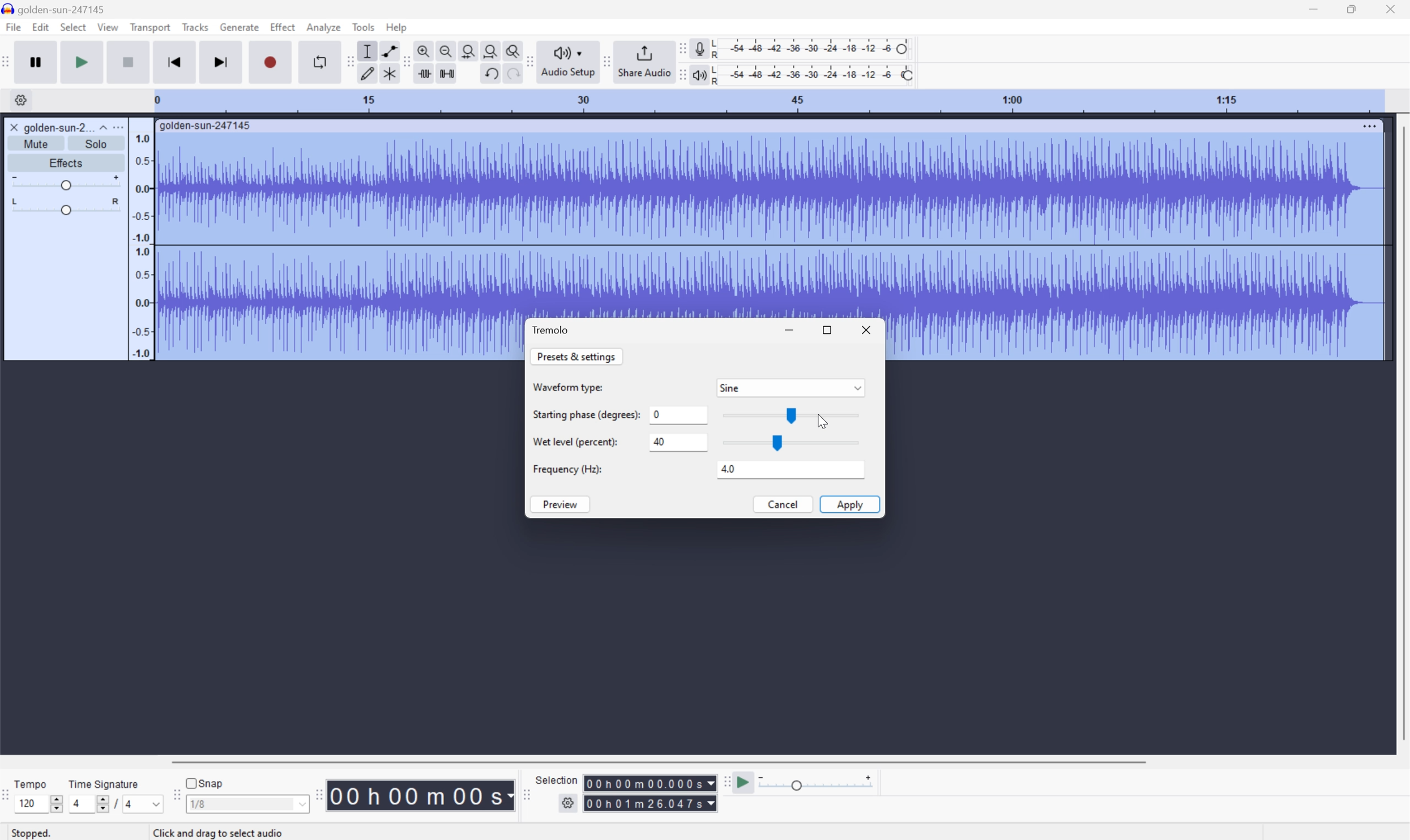 This screenshot has width=1410, height=840. I want to click on Settings, so click(23, 100).